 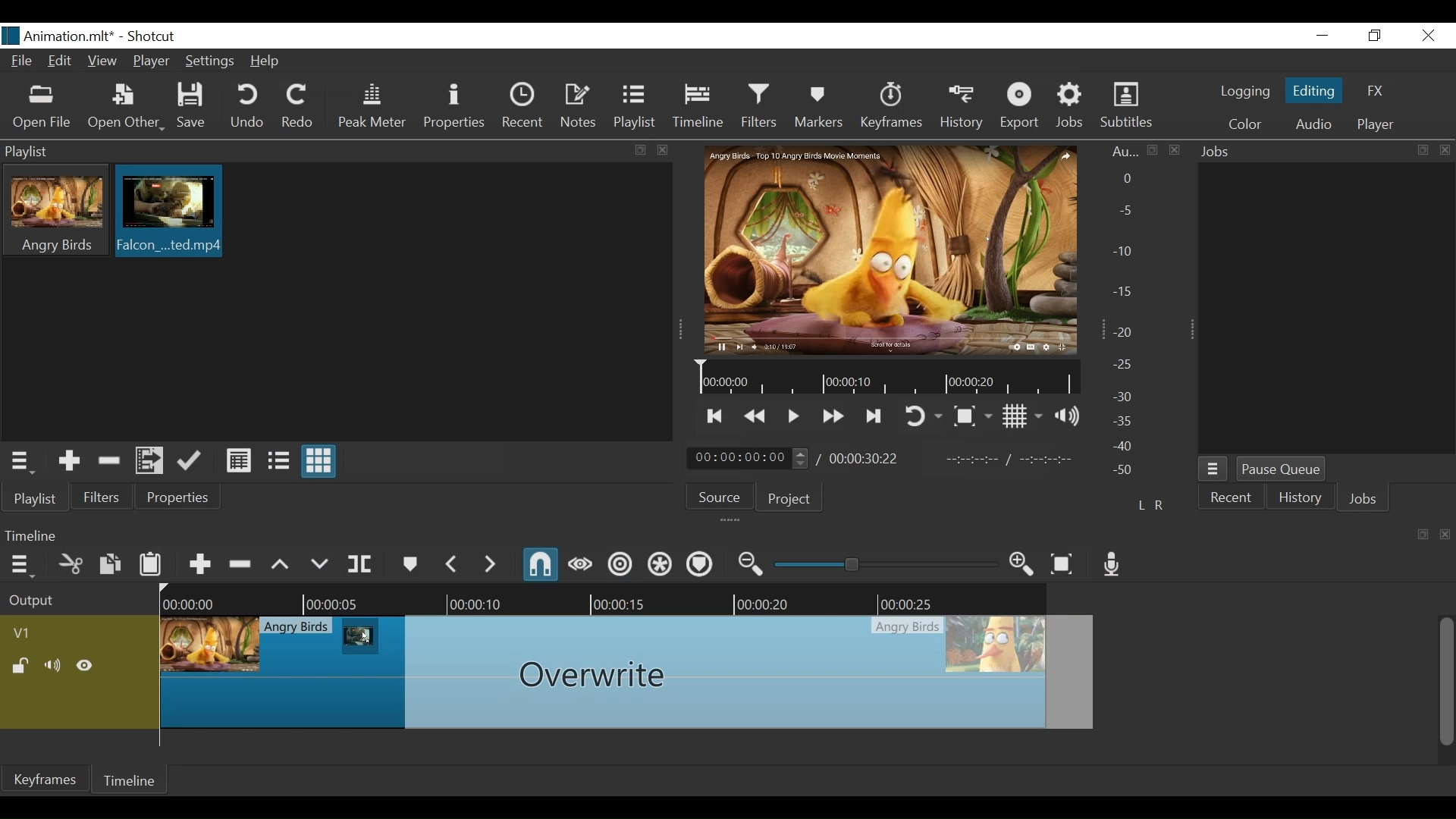 I want to click on Ripple all tracks, so click(x=661, y=565).